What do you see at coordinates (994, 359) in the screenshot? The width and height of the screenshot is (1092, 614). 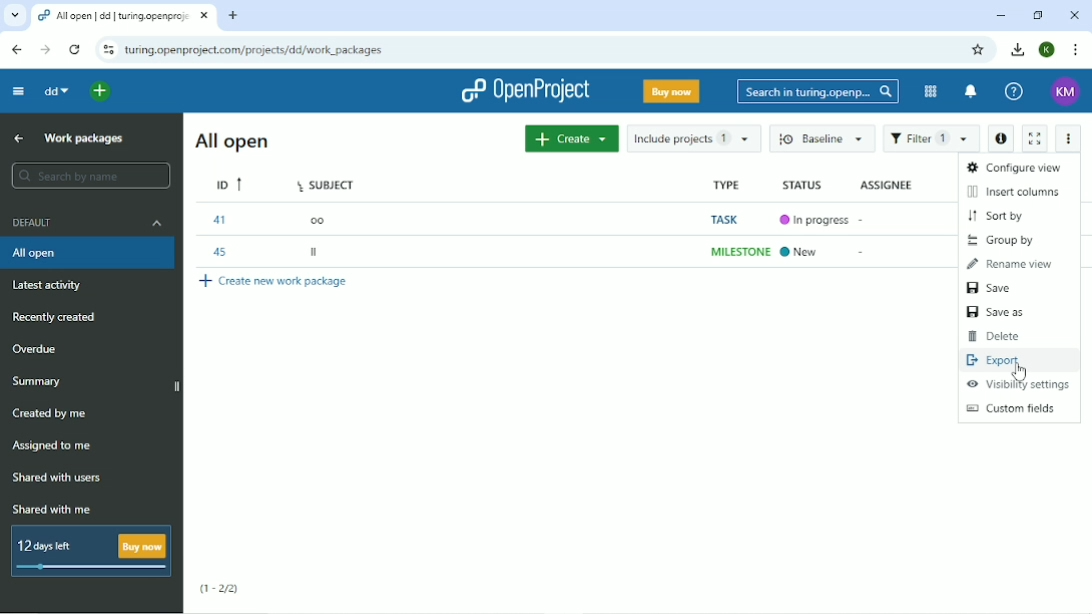 I see `Export` at bounding box center [994, 359].